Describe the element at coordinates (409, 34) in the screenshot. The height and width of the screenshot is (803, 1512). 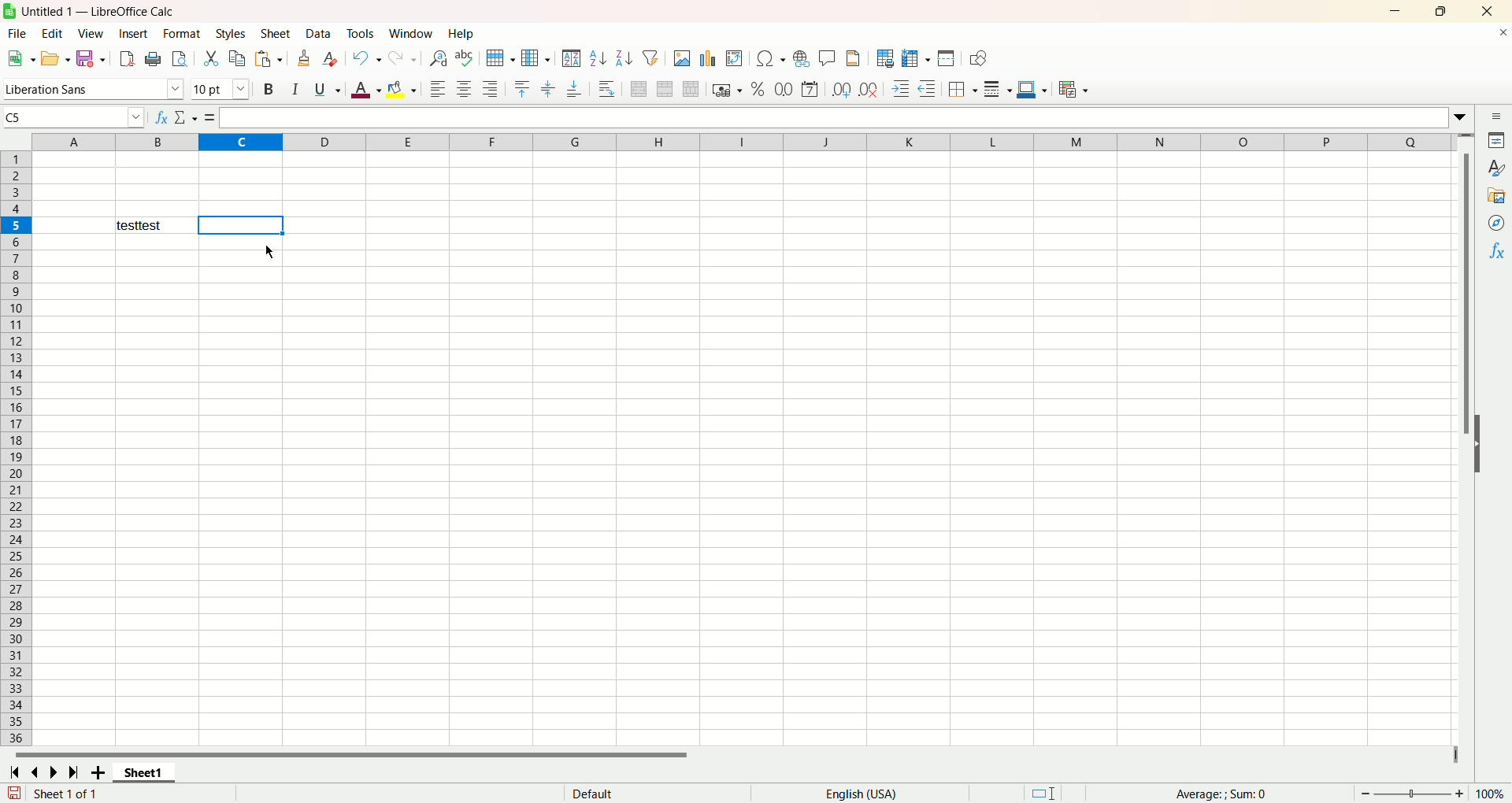
I see `window` at that location.